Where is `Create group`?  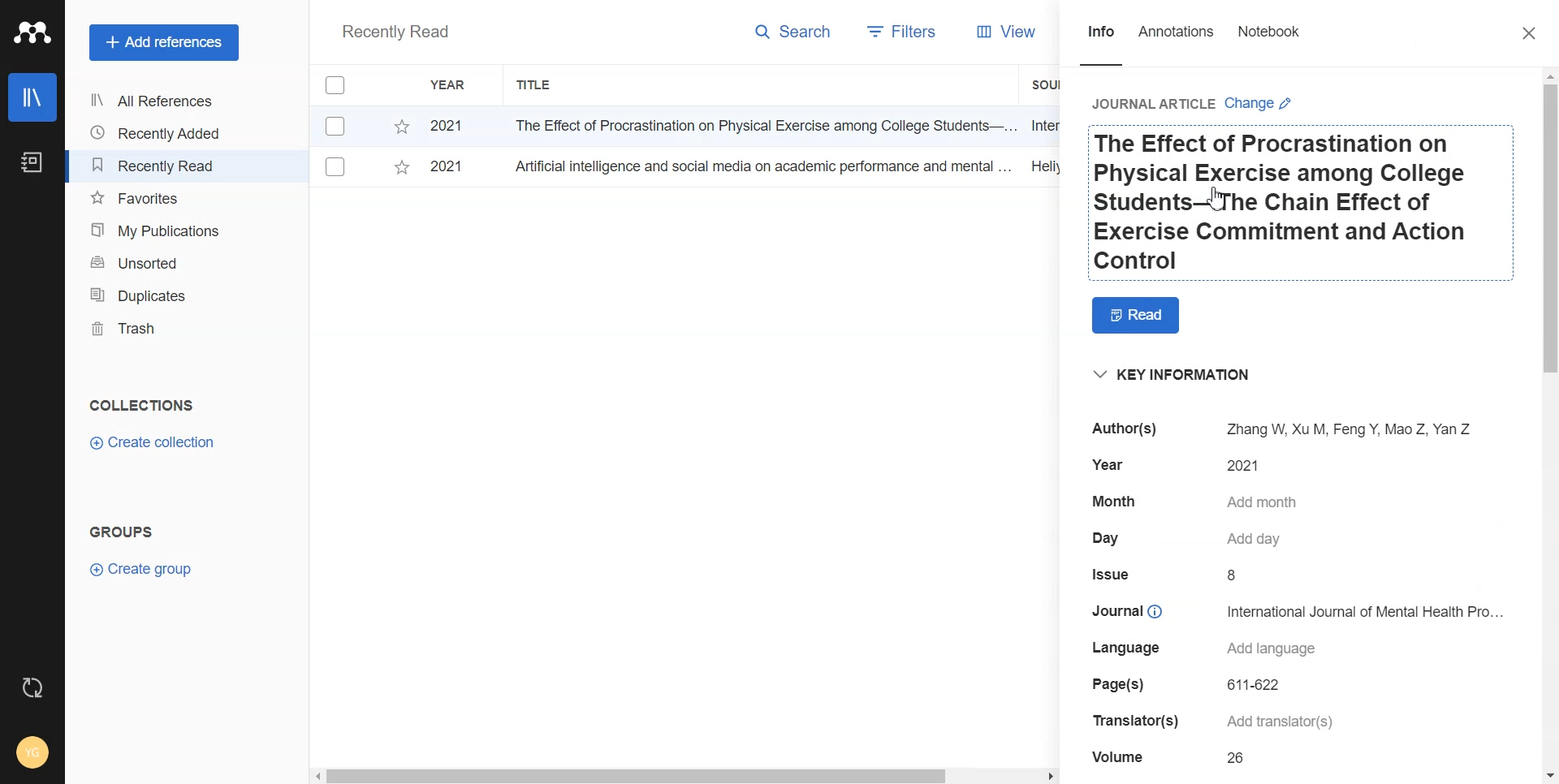
Create group is located at coordinates (142, 567).